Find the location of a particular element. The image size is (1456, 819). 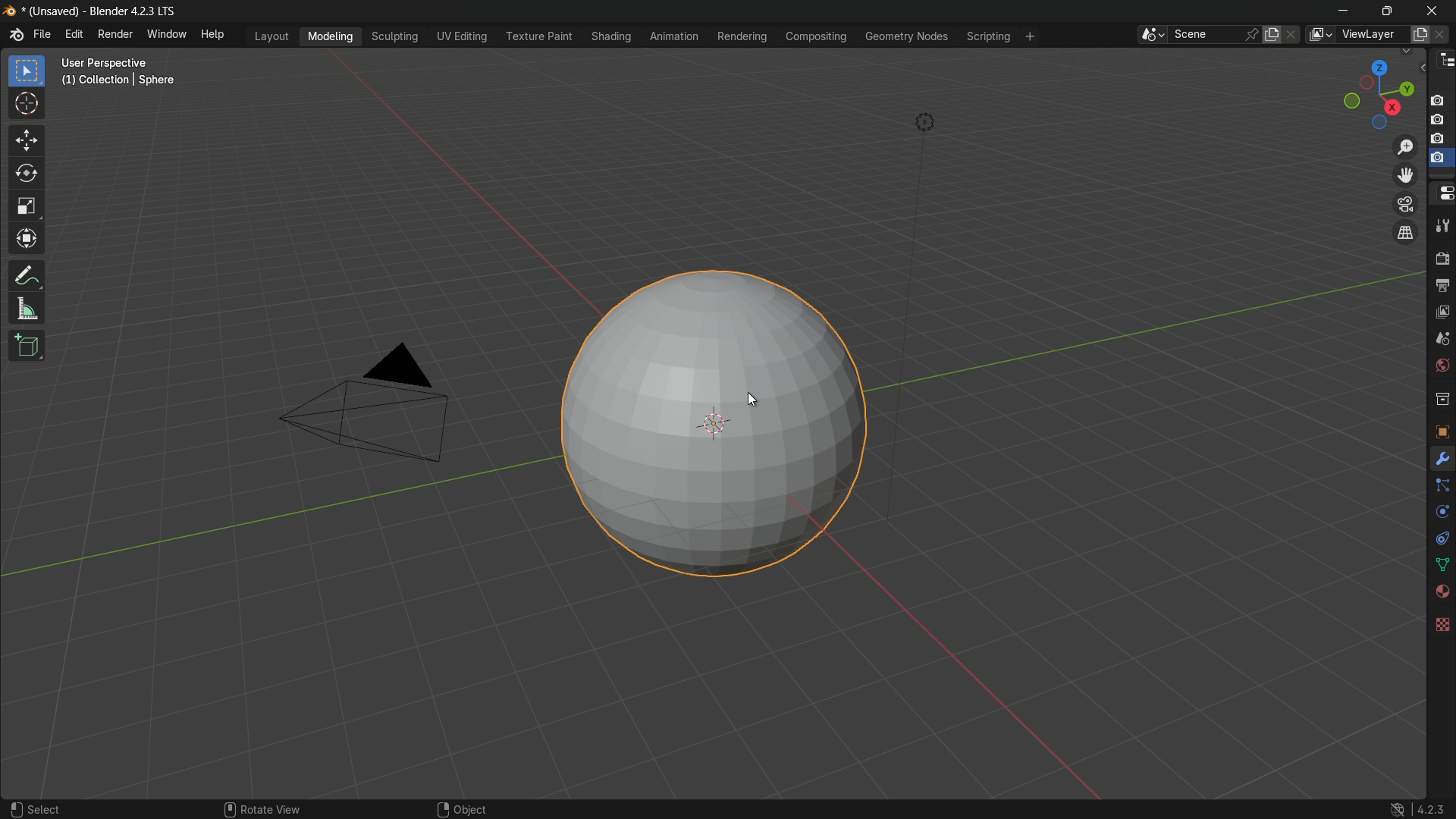

render menu is located at coordinates (114, 34).